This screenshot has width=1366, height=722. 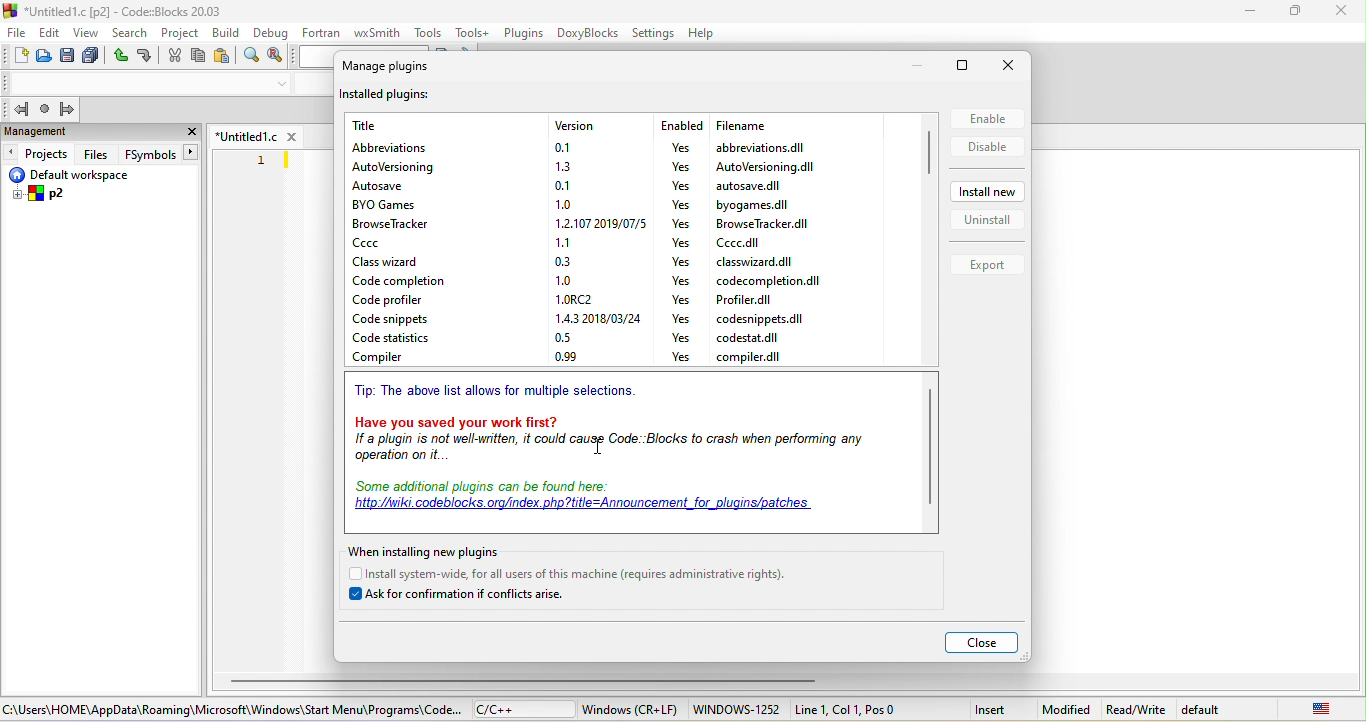 I want to click on browse tracker, so click(x=394, y=225).